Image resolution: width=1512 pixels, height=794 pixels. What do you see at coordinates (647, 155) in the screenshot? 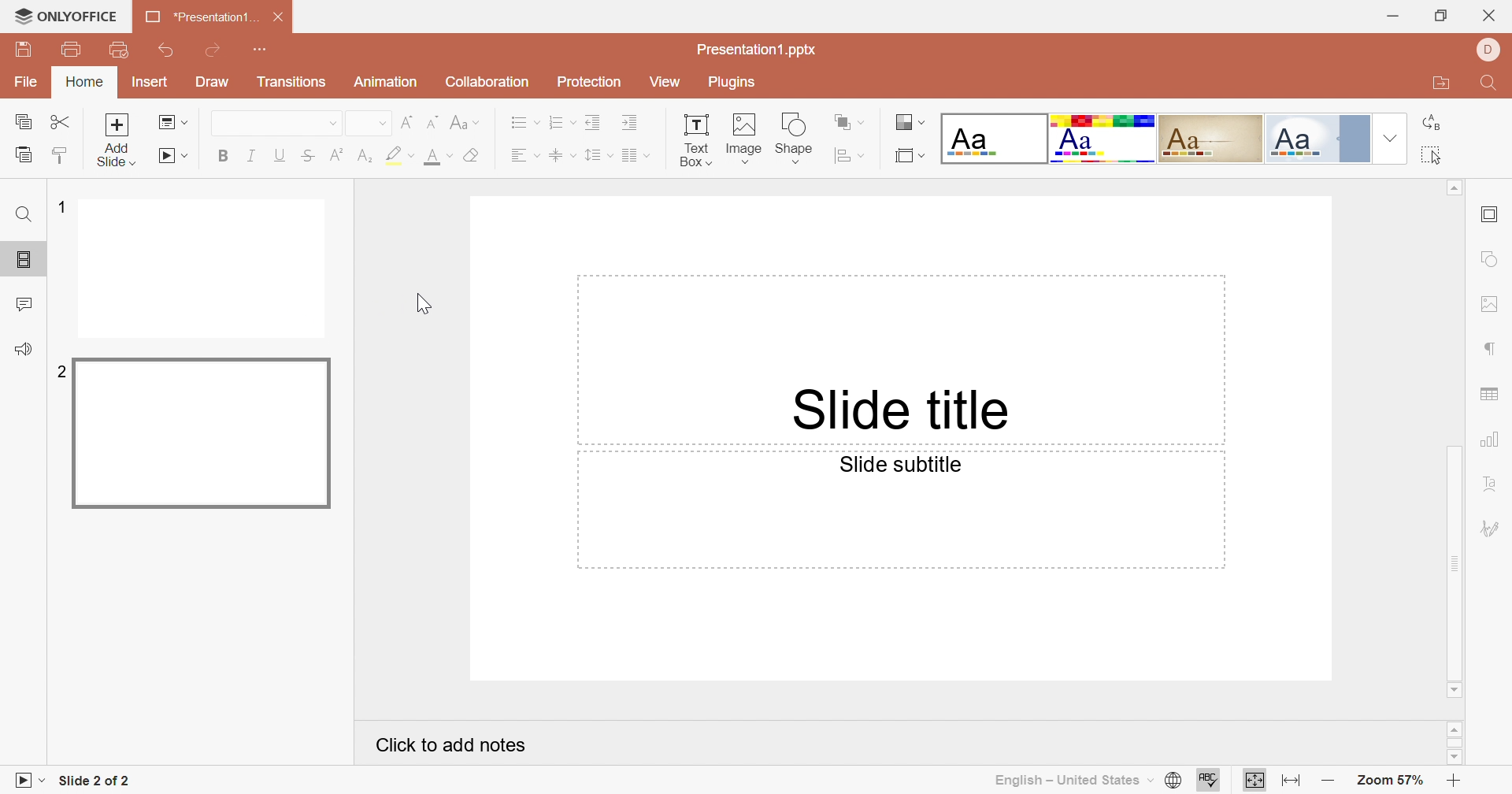
I see `Drop Down` at bounding box center [647, 155].